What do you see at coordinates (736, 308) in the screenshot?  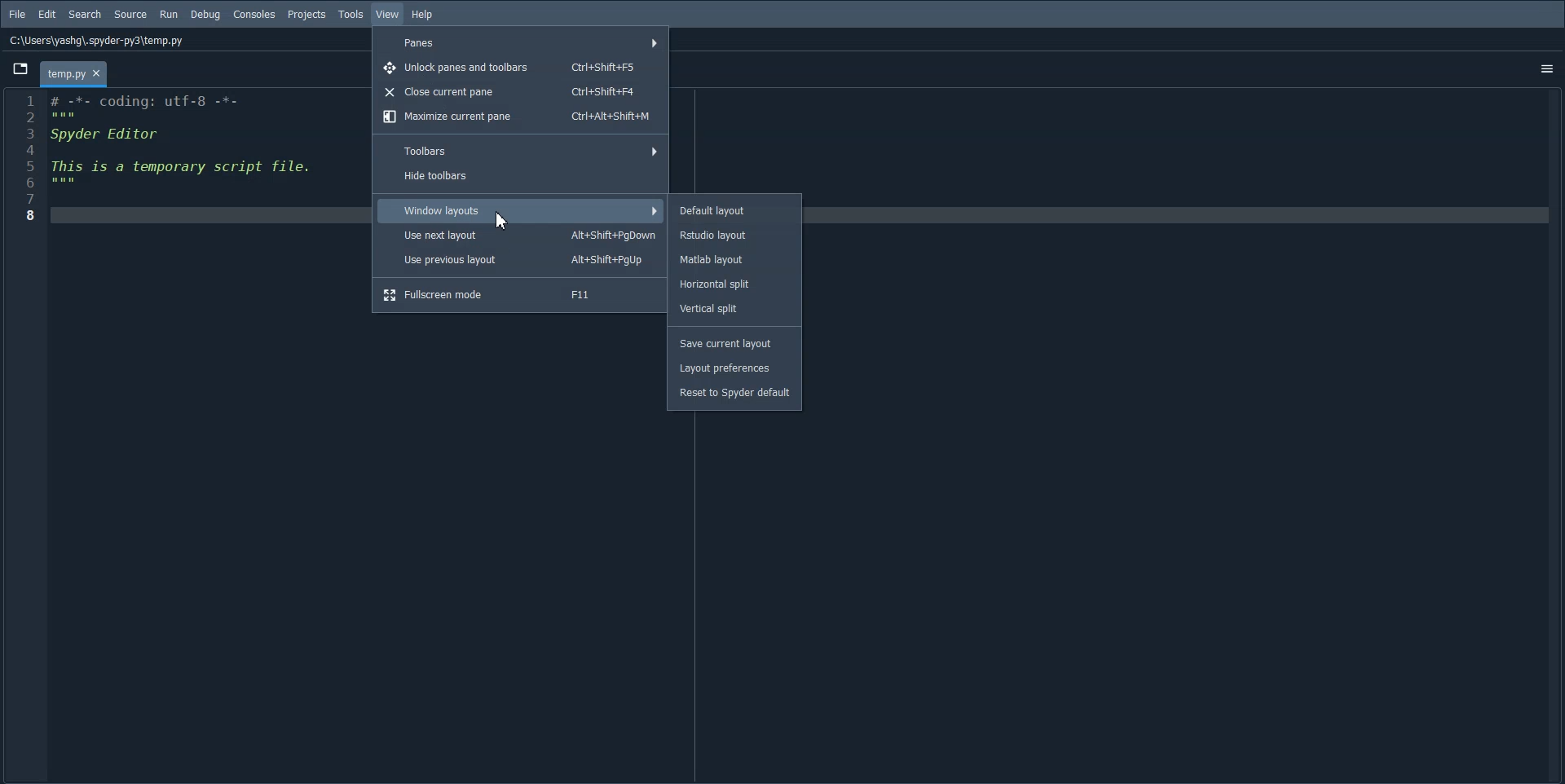 I see `Vertical Split` at bounding box center [736, 308].